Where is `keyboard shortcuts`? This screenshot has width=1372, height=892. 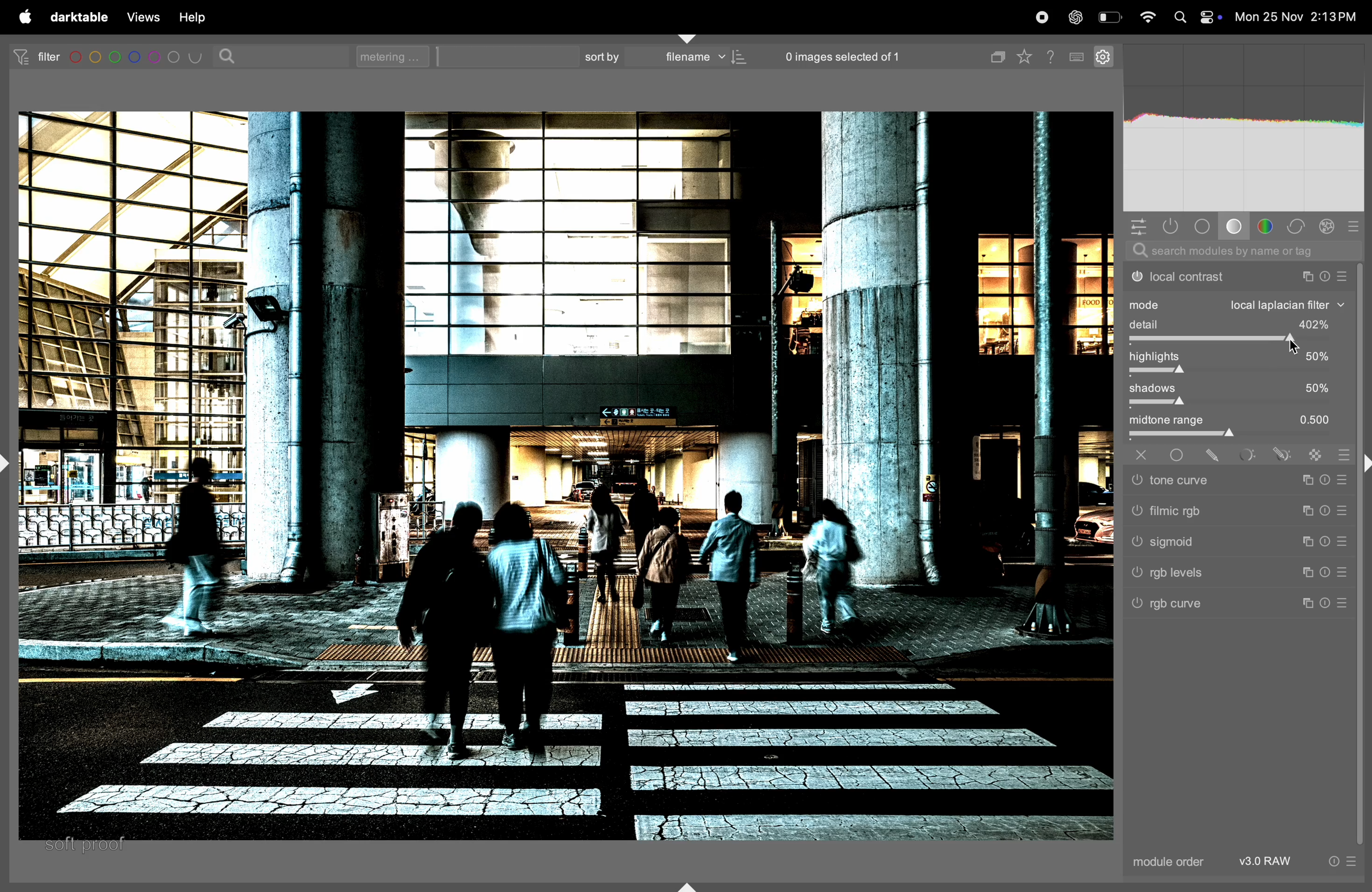
keyboard shortcuts is located at coordinates (1077, 58).